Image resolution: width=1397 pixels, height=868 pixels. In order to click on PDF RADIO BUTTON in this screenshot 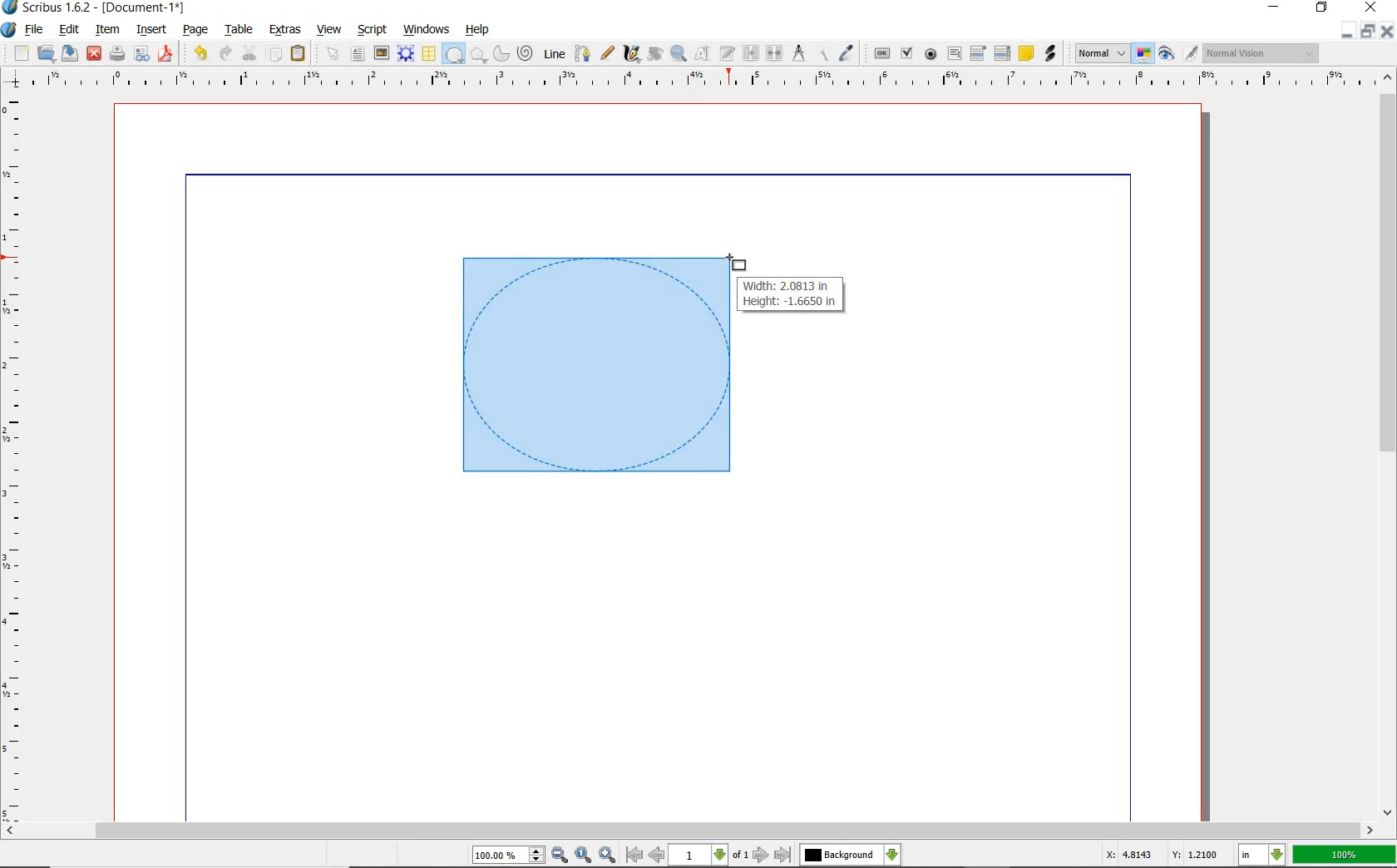, I will do `click(931, 53)`.